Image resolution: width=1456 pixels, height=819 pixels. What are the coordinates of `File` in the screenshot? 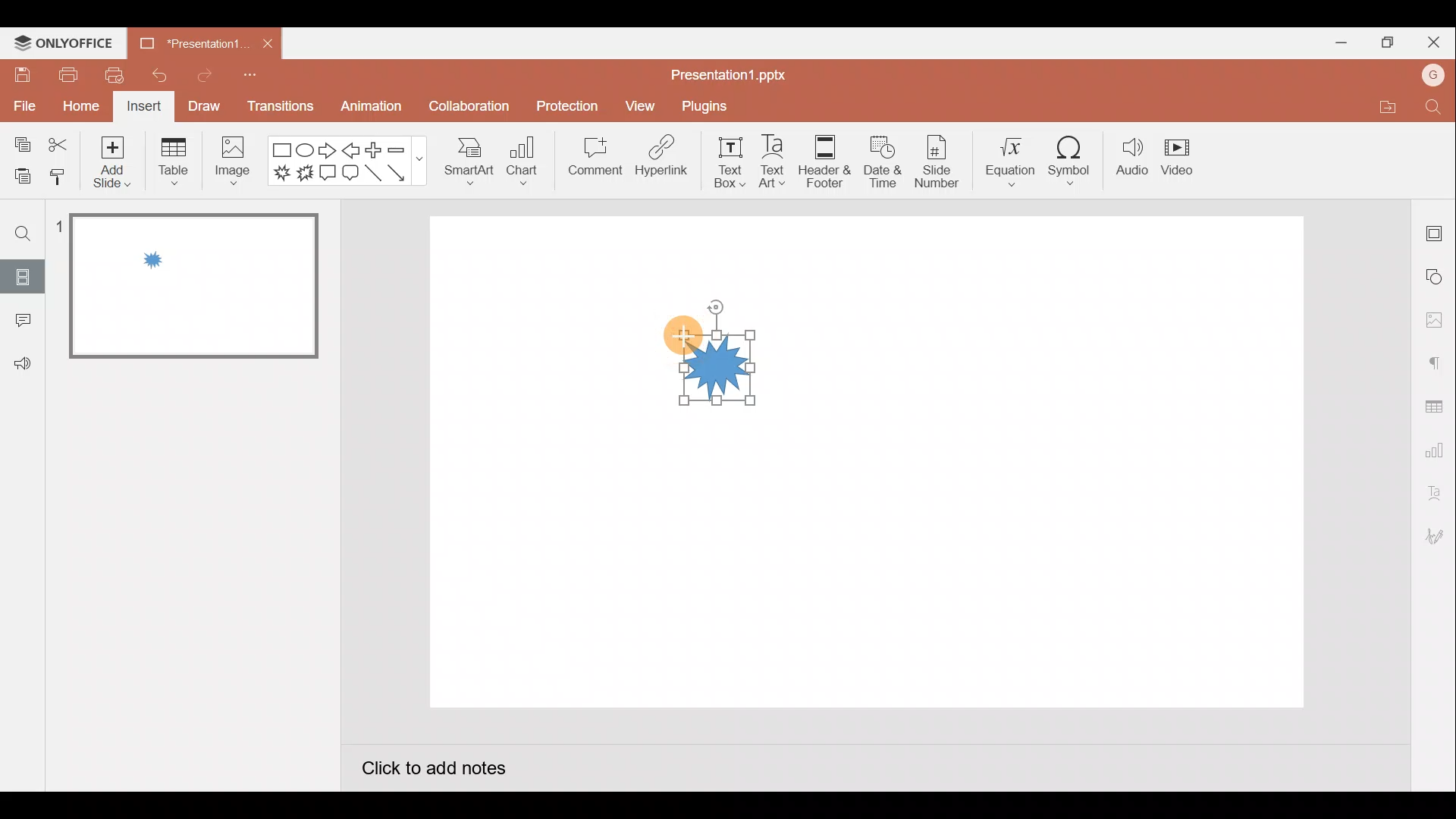 It's located at (23, 108).